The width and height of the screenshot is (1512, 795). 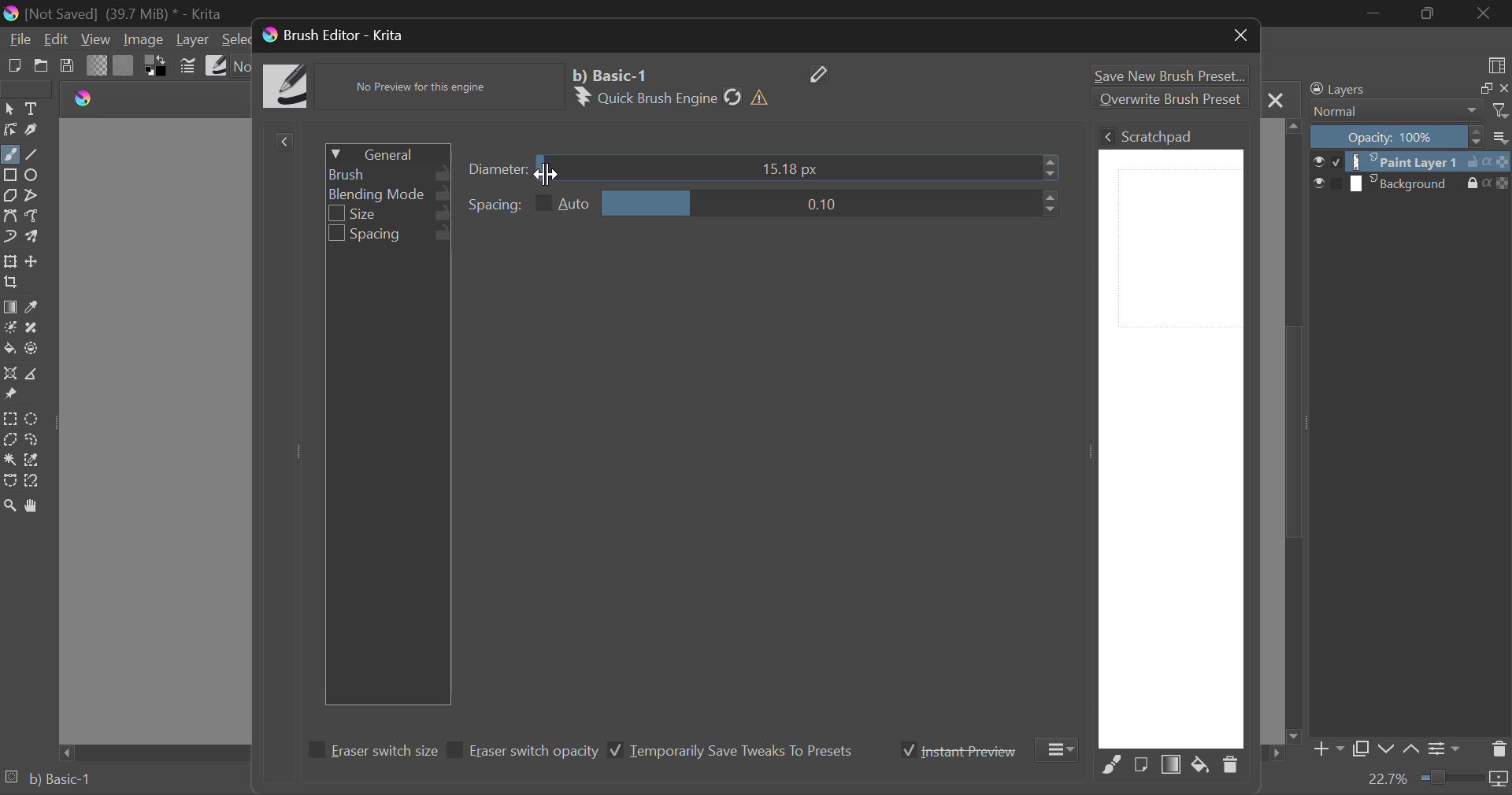 What do you see at coordinates (1435, 780) in the screenshot?
I see `Zoom 22.7%` at bounding box center [1435, 780].